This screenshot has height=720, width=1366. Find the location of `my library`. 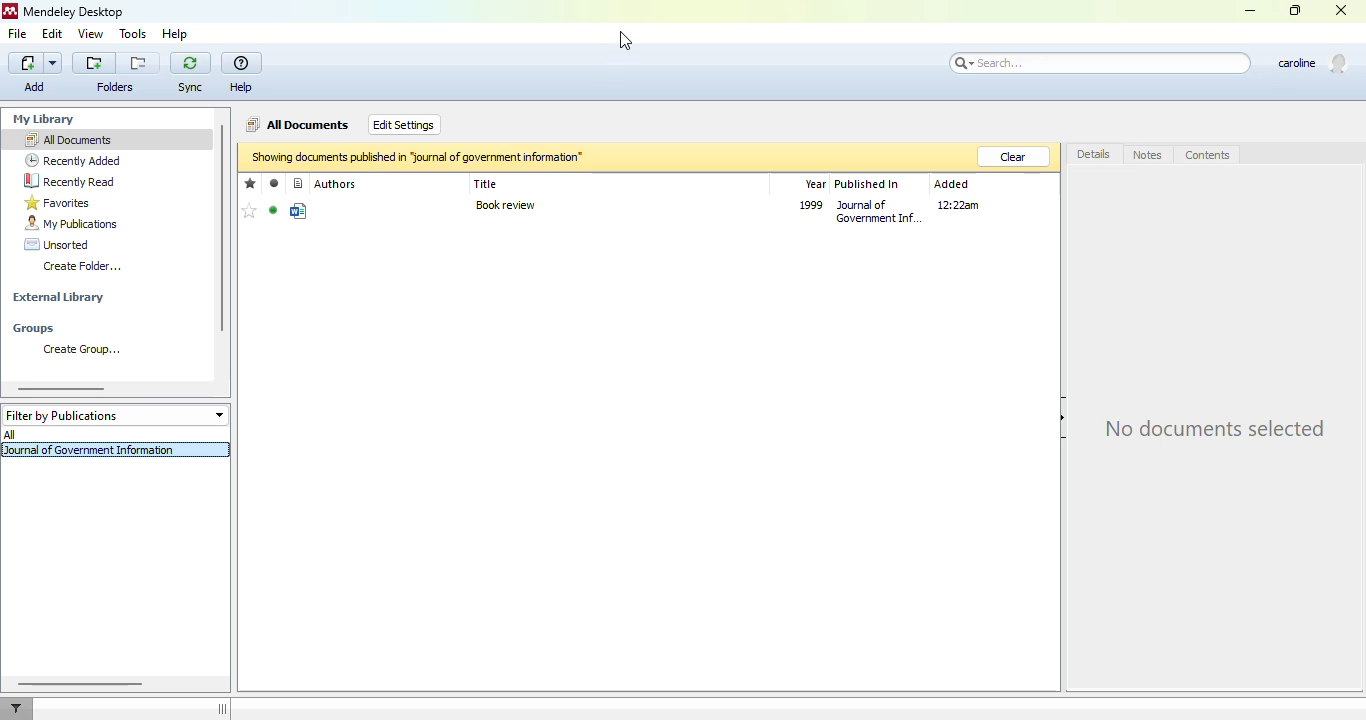

my library is located at coordinates (43, 119).